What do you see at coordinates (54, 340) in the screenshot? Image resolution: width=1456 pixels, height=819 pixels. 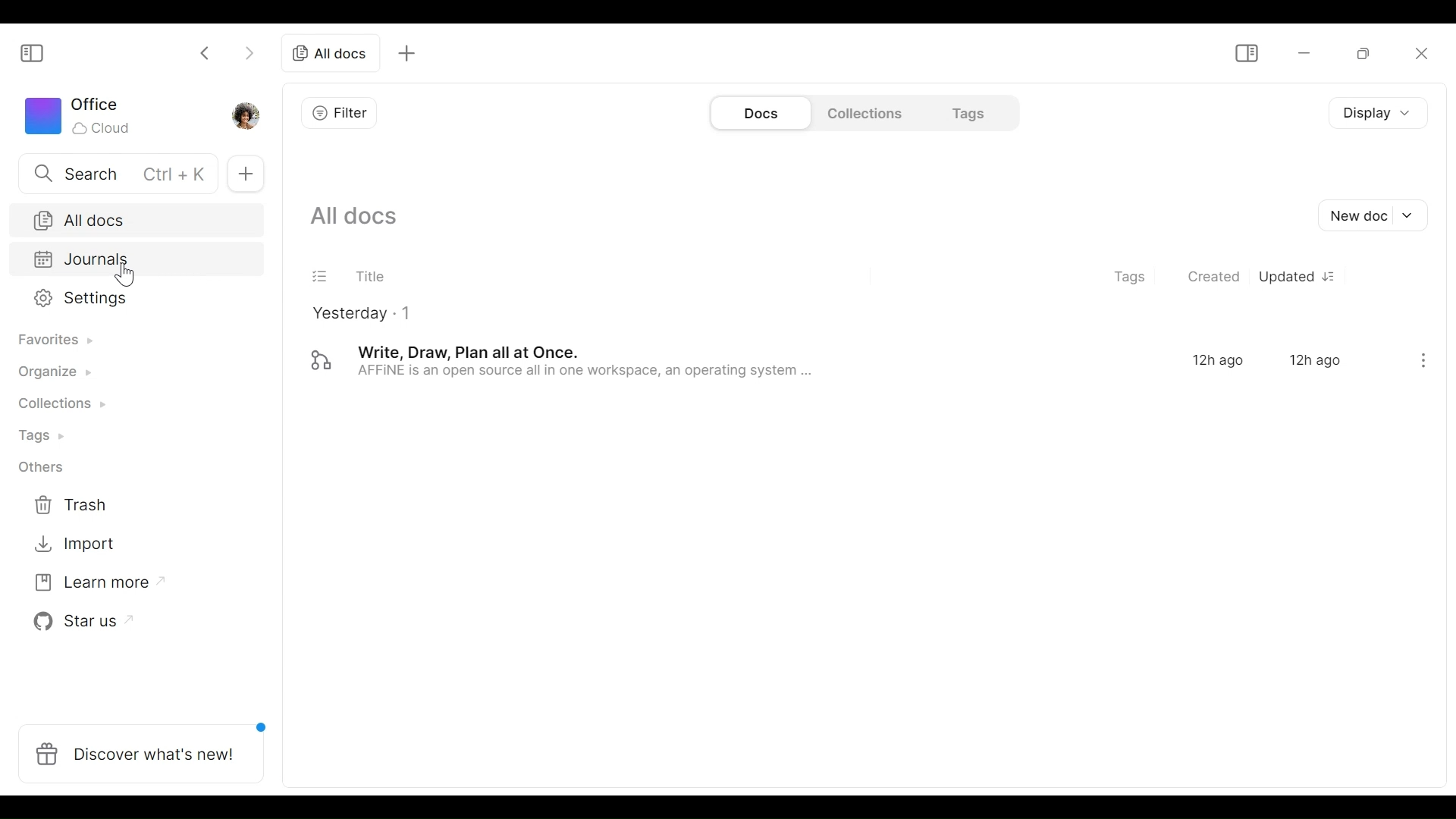 I see `Favorites` at bounding box center [54, 340].